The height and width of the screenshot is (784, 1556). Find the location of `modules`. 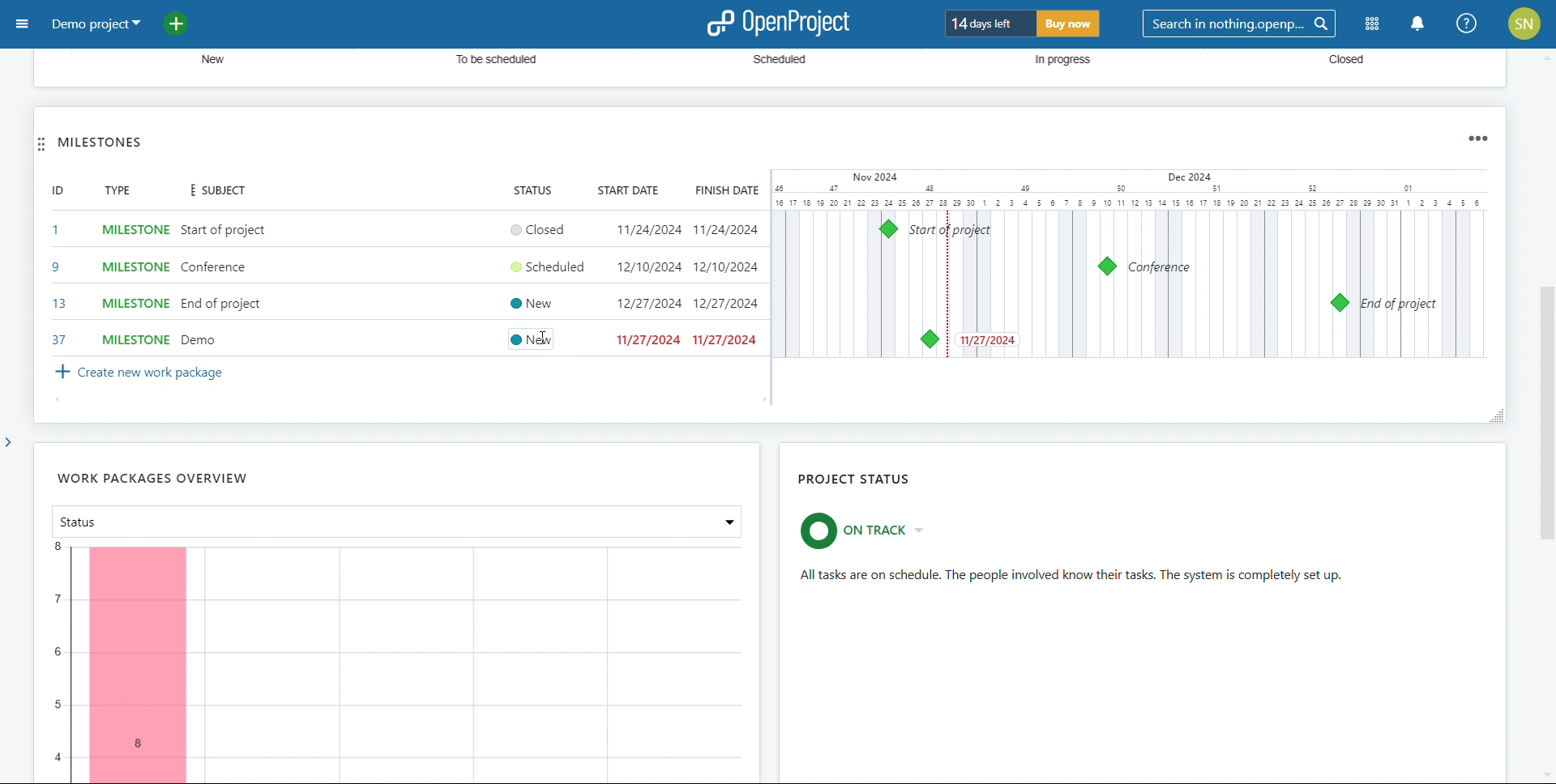

modules is located at coordinates (1373, 24).